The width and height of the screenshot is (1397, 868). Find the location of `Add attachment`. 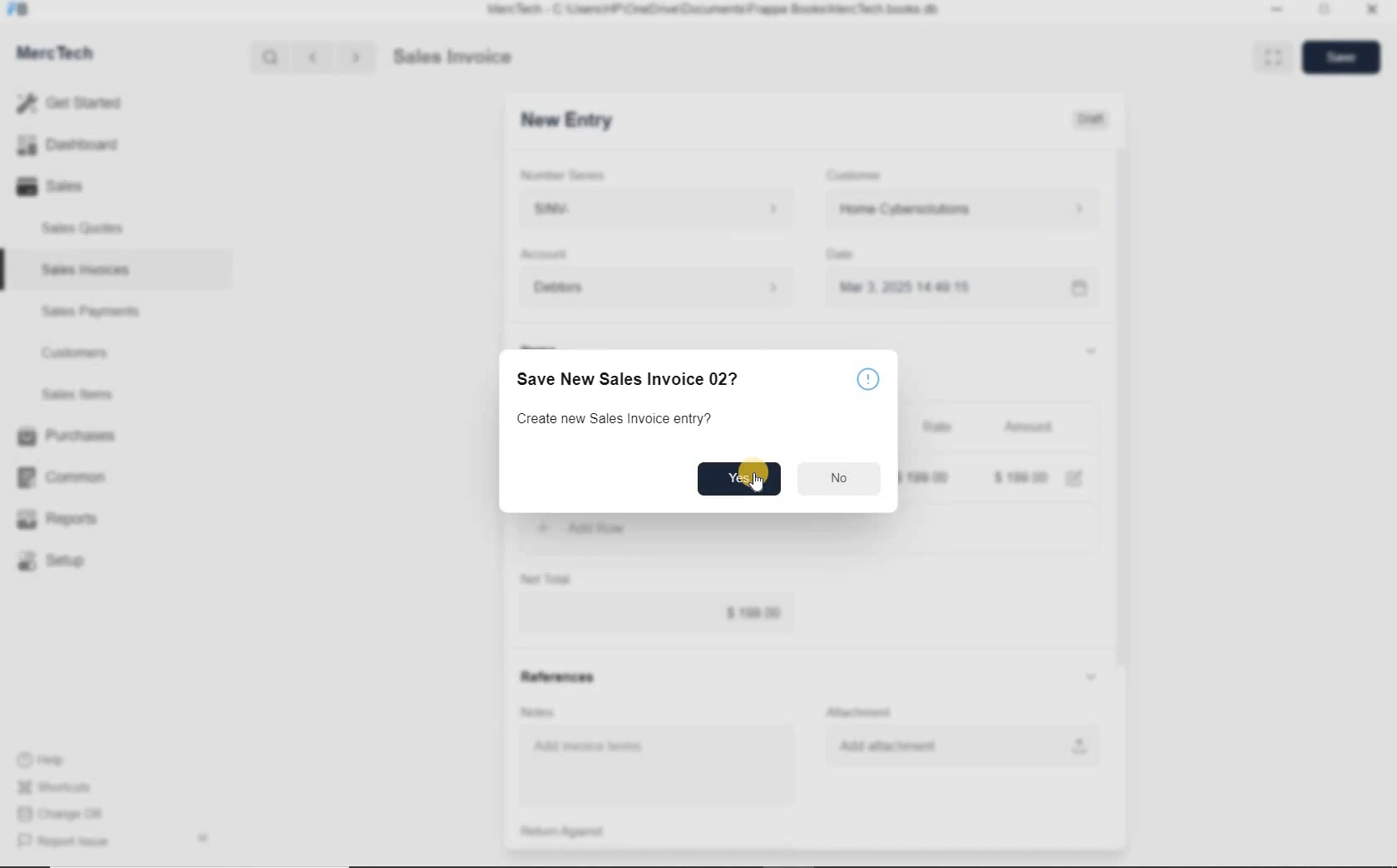

Add attachment is located at coordinates (962, 745).